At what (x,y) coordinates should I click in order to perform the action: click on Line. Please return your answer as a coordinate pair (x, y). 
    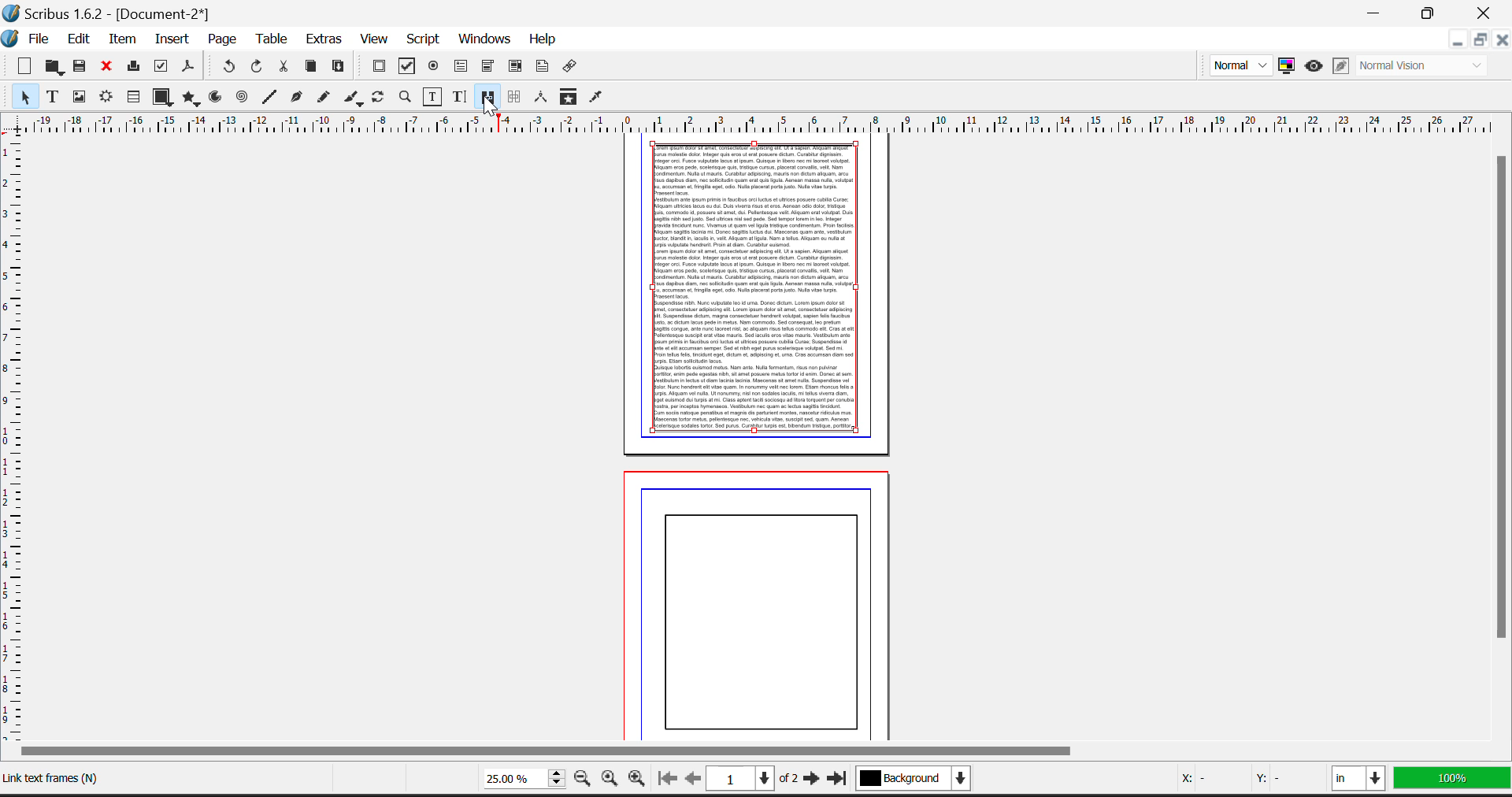
    Looking at the image, I should click on (269, 98).